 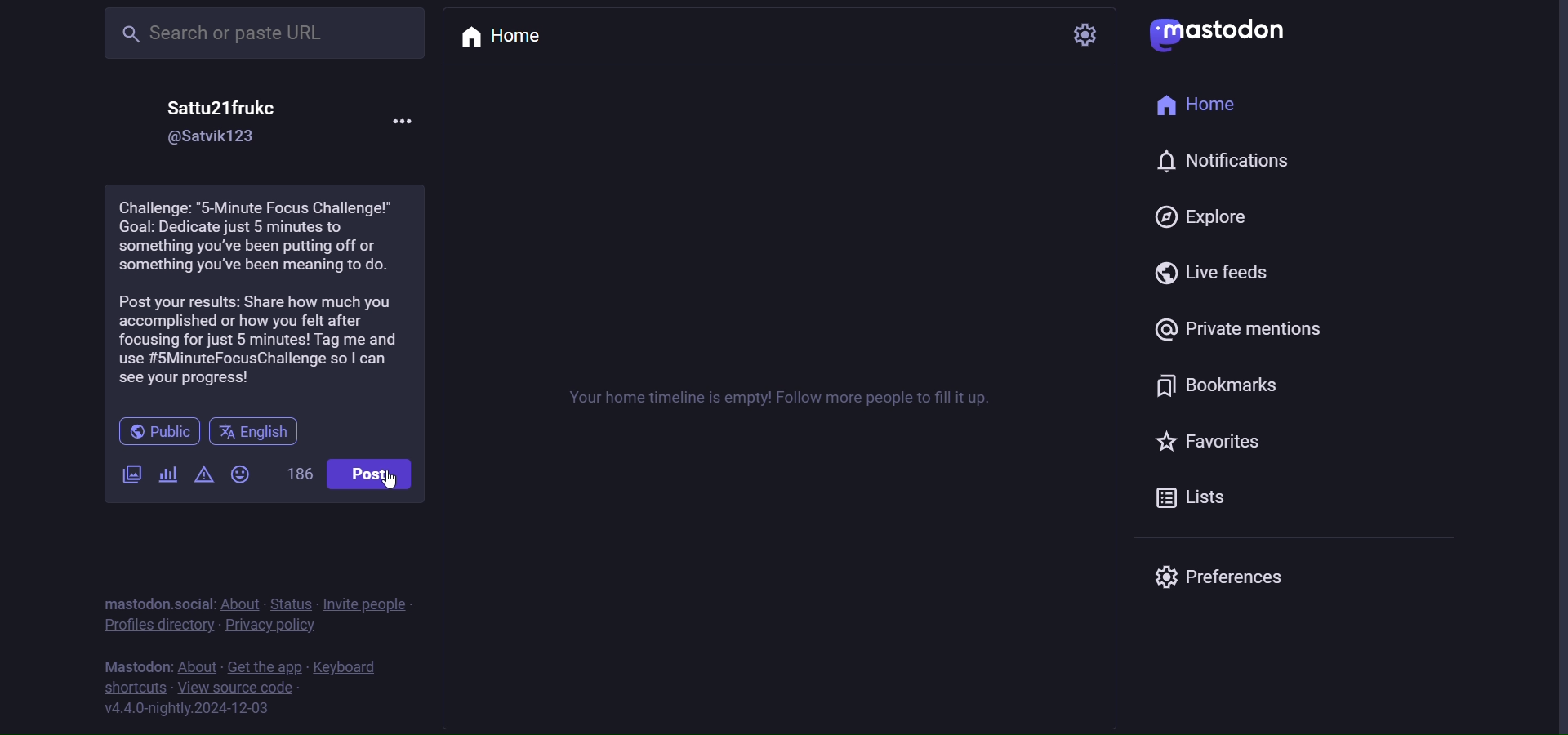 What do you see at coordinates (372, 472) in the screenshot?
I see `post` at bounding box center [372, 472].